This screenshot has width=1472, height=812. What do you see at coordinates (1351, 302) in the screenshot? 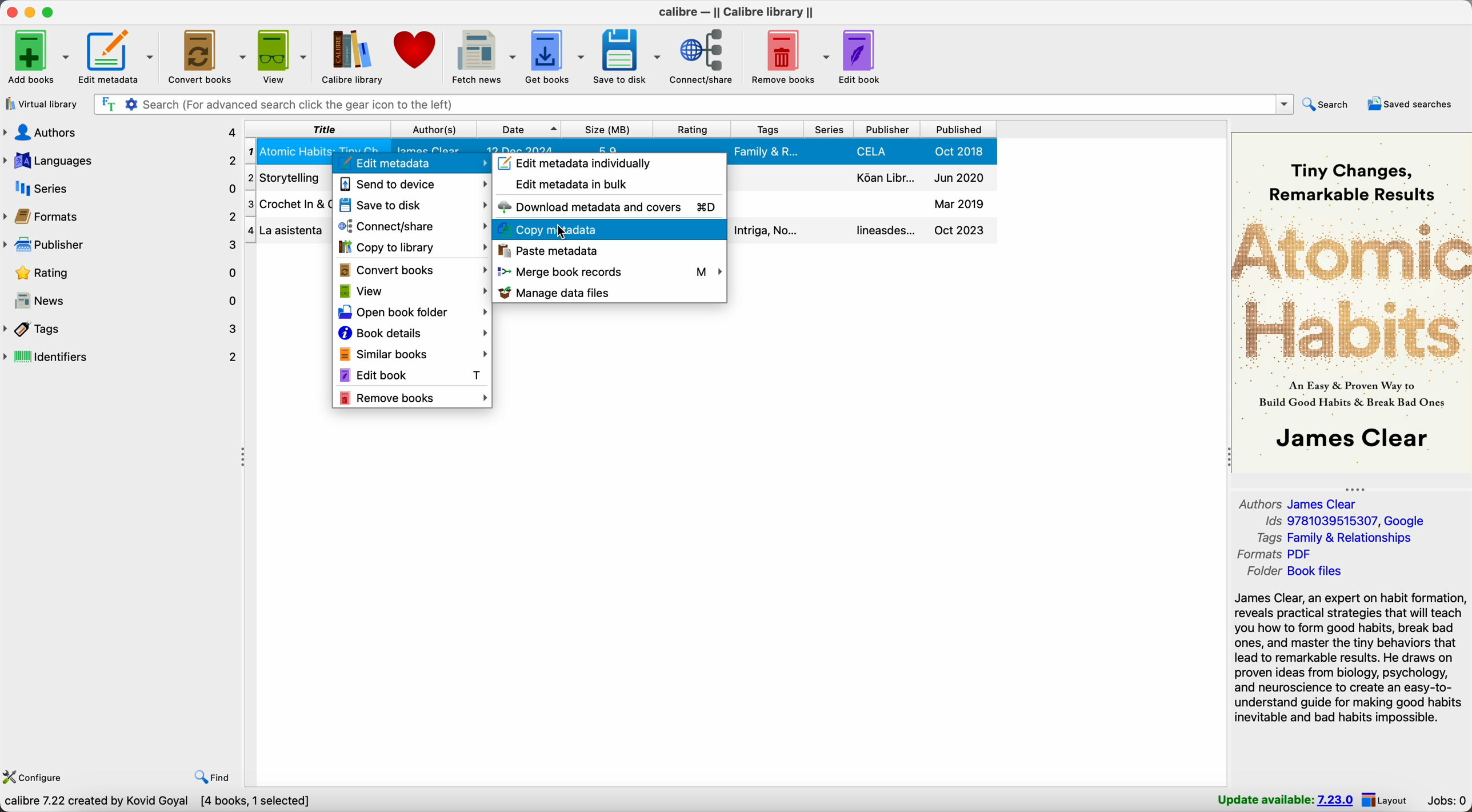
I see `book cover preview` at bounding box center [1351, 302].